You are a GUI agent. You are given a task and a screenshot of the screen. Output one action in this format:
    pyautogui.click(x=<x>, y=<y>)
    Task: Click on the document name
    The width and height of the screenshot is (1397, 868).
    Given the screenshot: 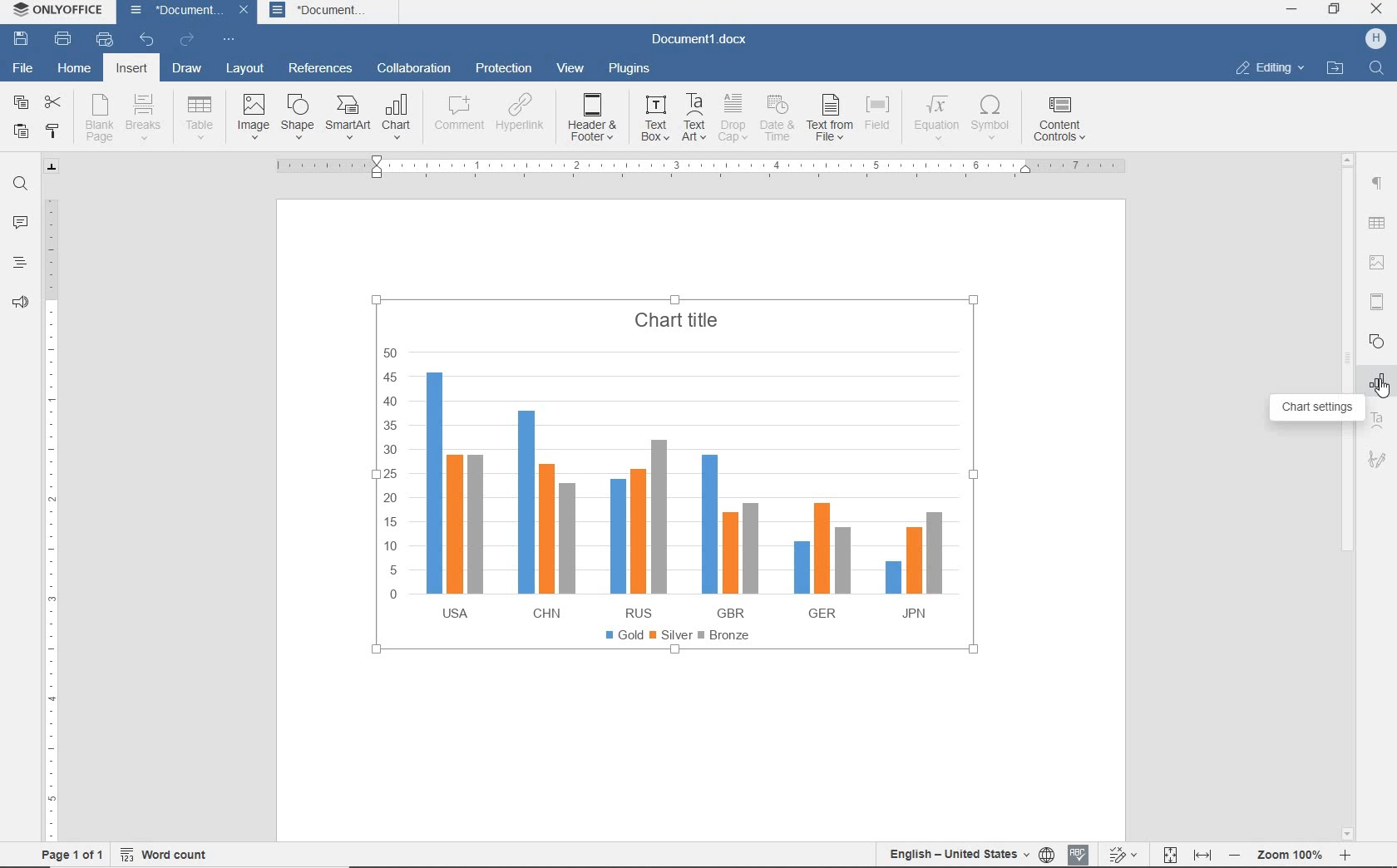 What is the action you would take?
    pyautogui.click(x=705, y=38)
    